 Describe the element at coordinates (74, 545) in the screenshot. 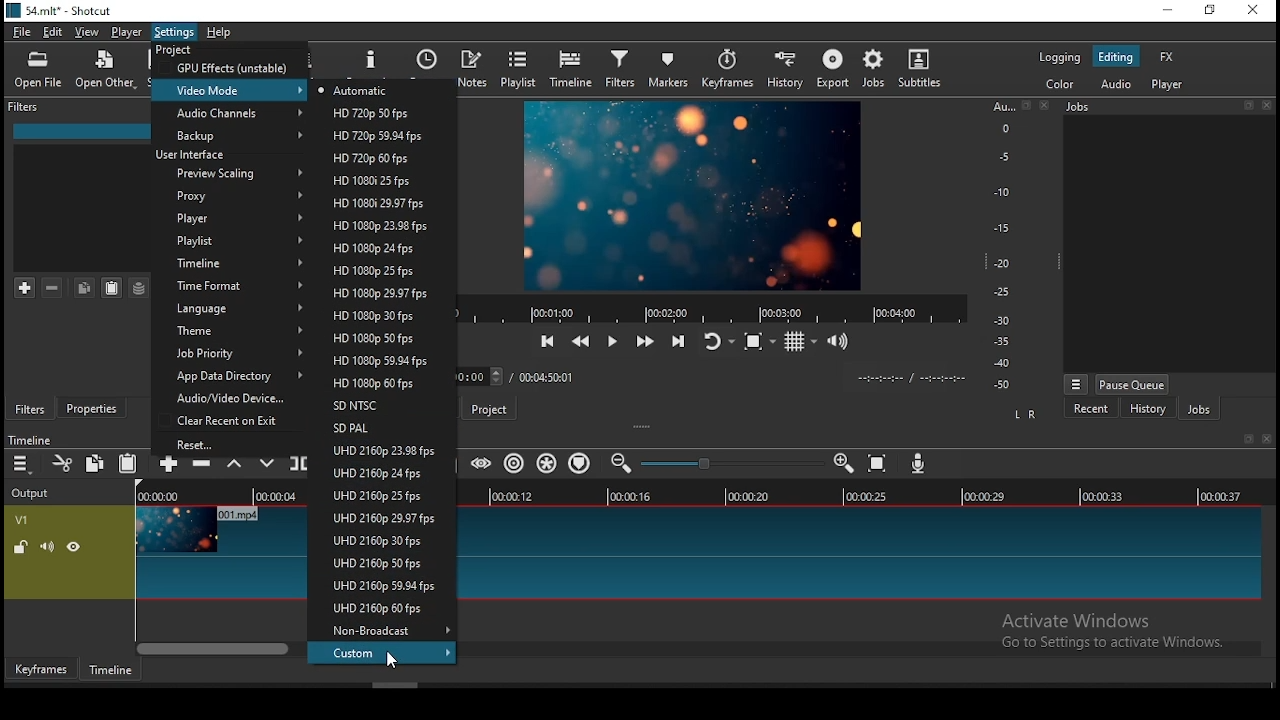

I see `hide video track` at that location.